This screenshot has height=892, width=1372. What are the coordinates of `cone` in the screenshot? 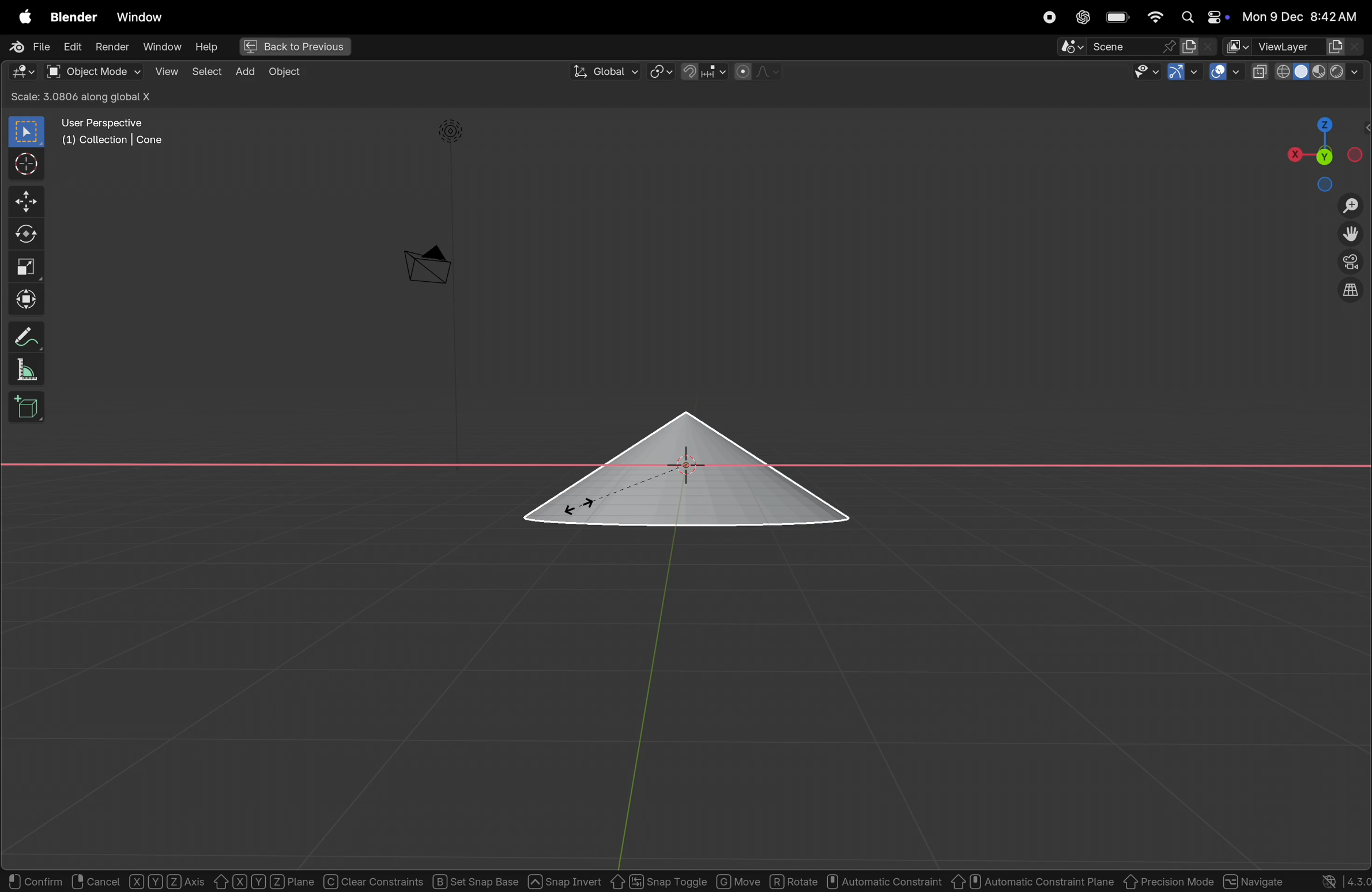 It's located at (687, 474).